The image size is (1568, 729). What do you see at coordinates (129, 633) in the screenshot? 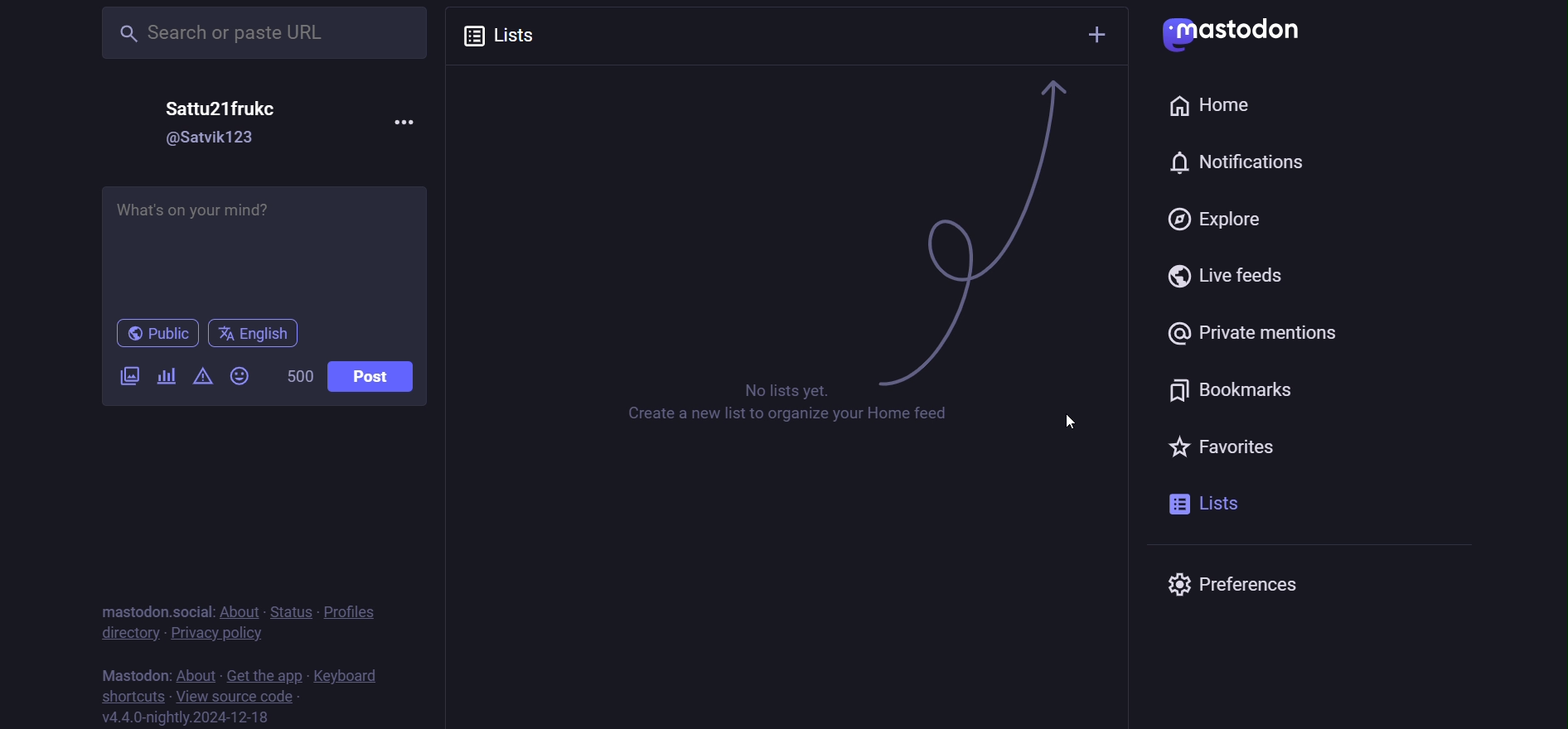
I see `directory` at bounding box center [129, 633].